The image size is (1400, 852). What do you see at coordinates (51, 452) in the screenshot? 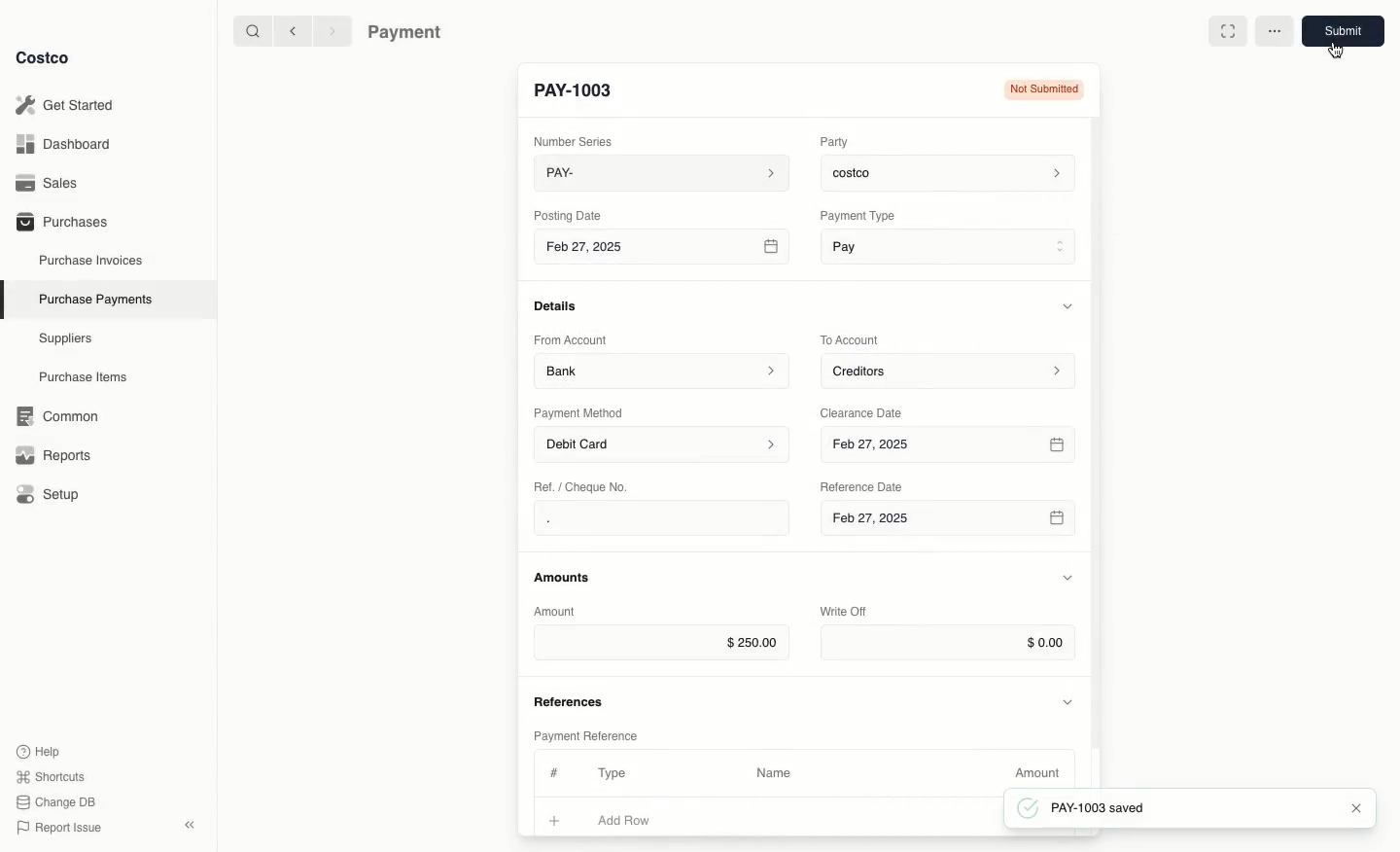
I see `Reports` at bounding box center [51, 452].